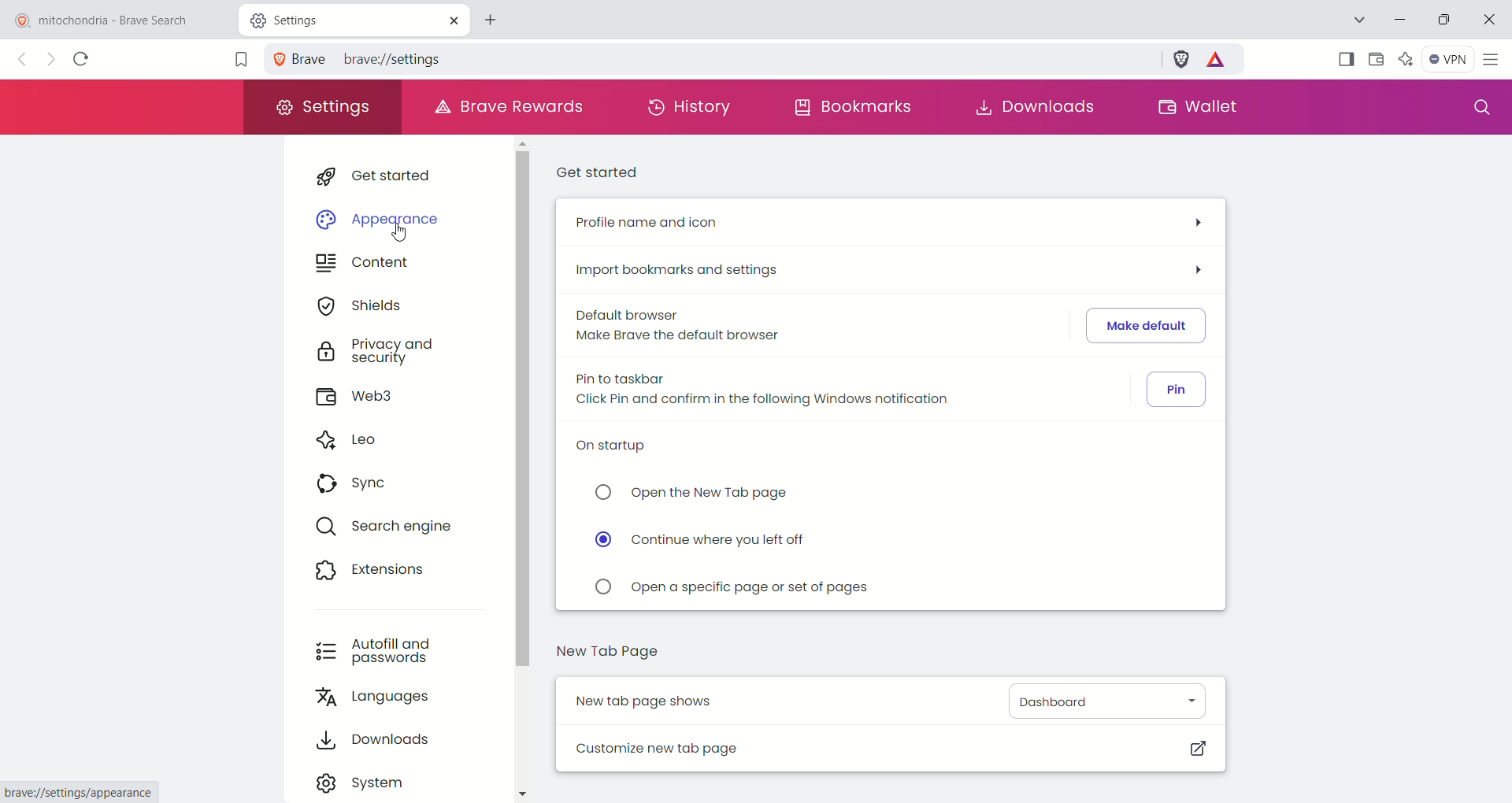 The width and height of the screenshot is (1512, 803). Describe the element at coordinates (1494, 60) in the screenshot. I see `customize and control brave` at that location.